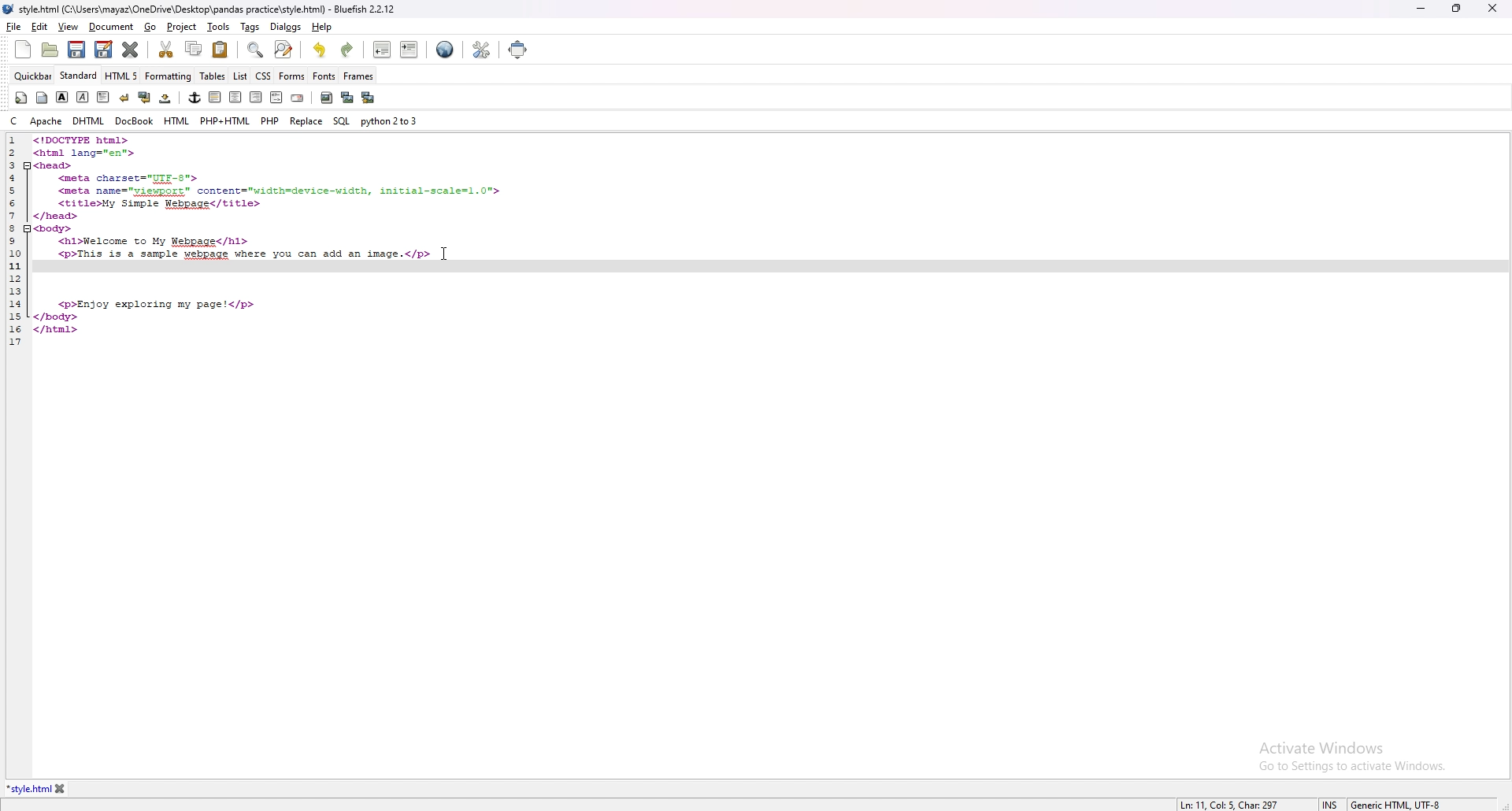 This screenshot has width=1512, height=811. Describe the element at coordinates (216, 98) in the screenshot. I see `left justify` at that location.